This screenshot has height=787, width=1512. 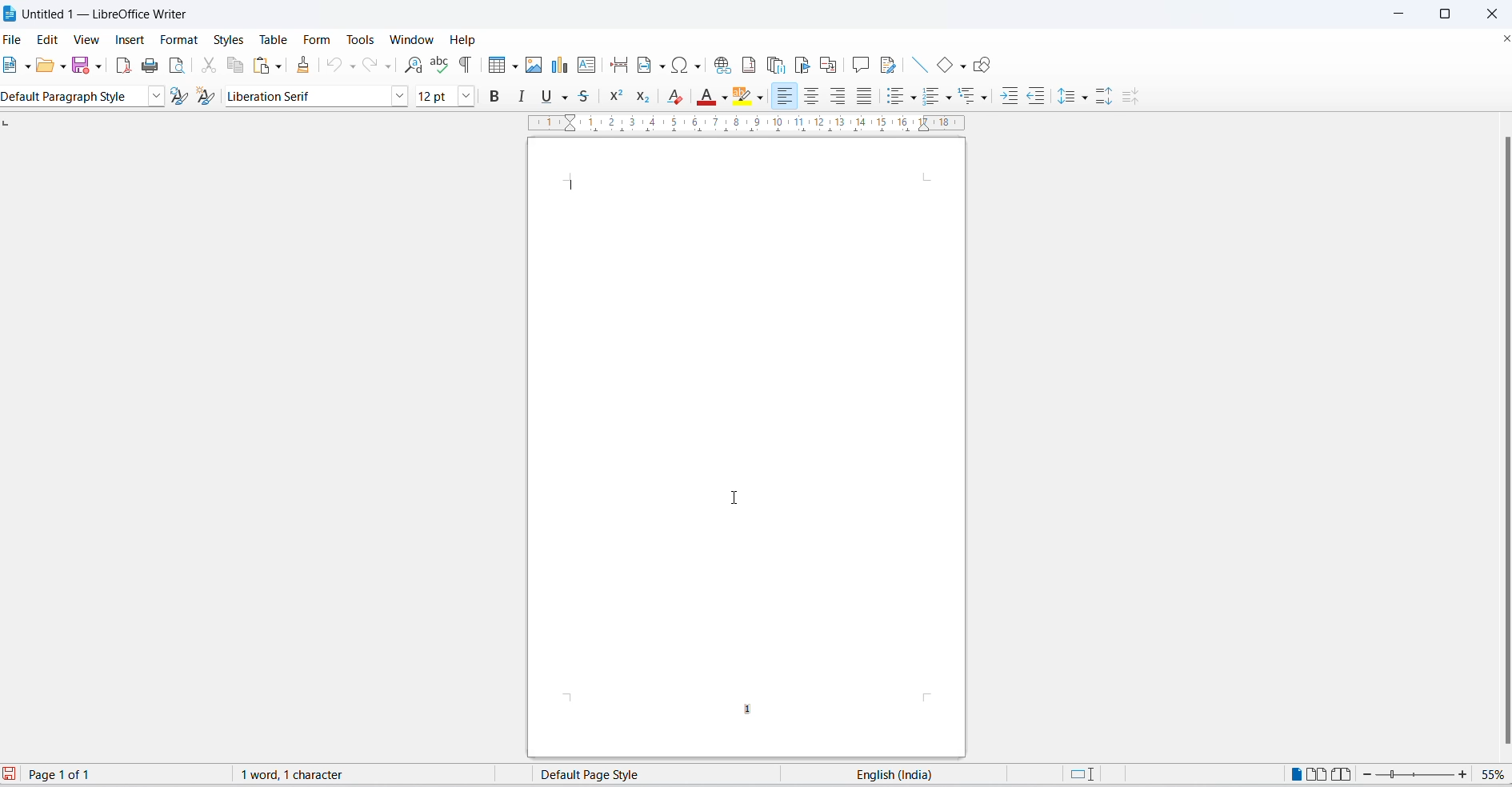 What do you see at coordinates (434, 95) in the screenshot?
I see `font size ` at bounding box center [434, 95].